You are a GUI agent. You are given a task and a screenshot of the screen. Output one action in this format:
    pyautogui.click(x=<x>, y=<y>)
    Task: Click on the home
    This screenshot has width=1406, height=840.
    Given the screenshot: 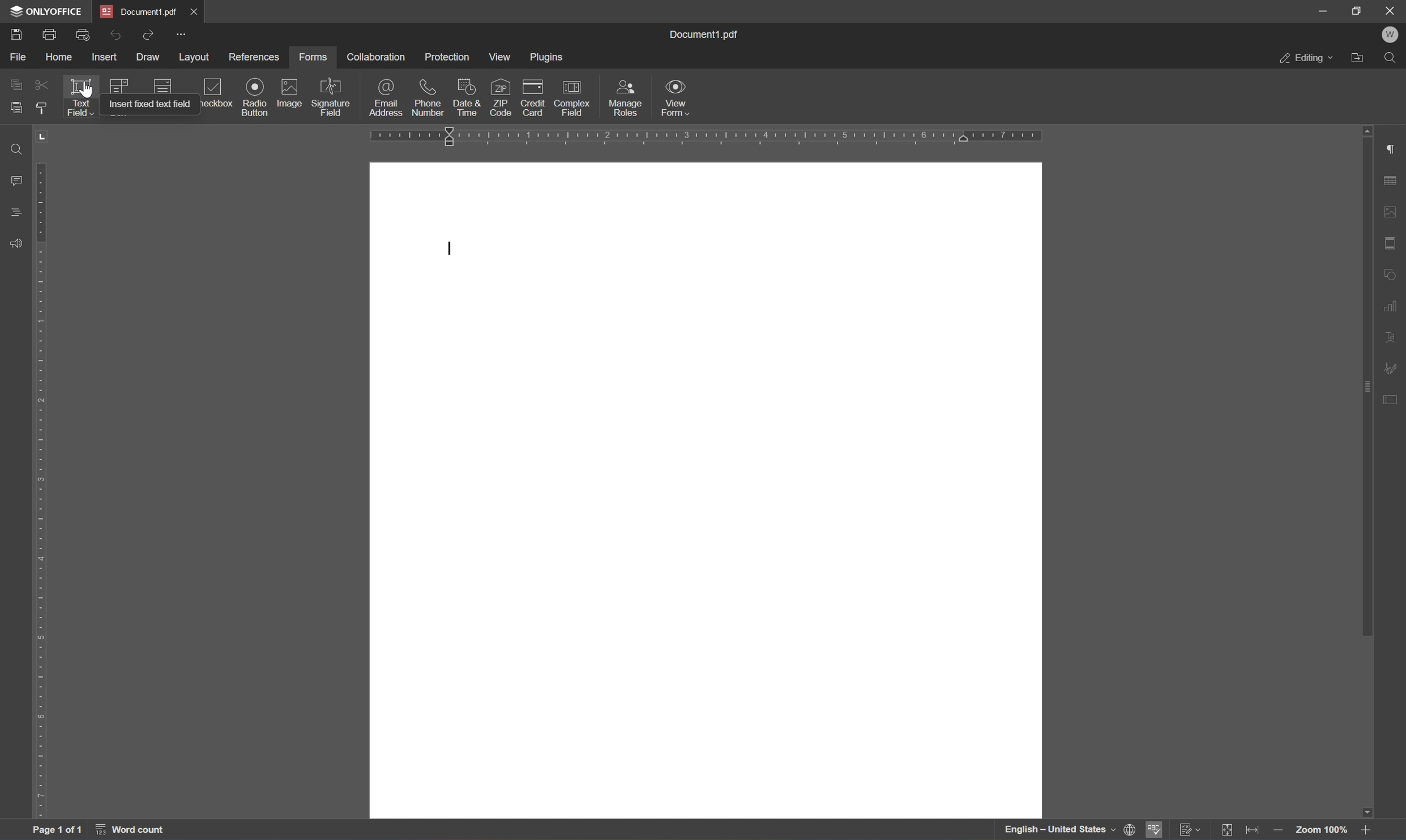 What is the action you would take?
    pyautogui.click(x=60, y=57)
    